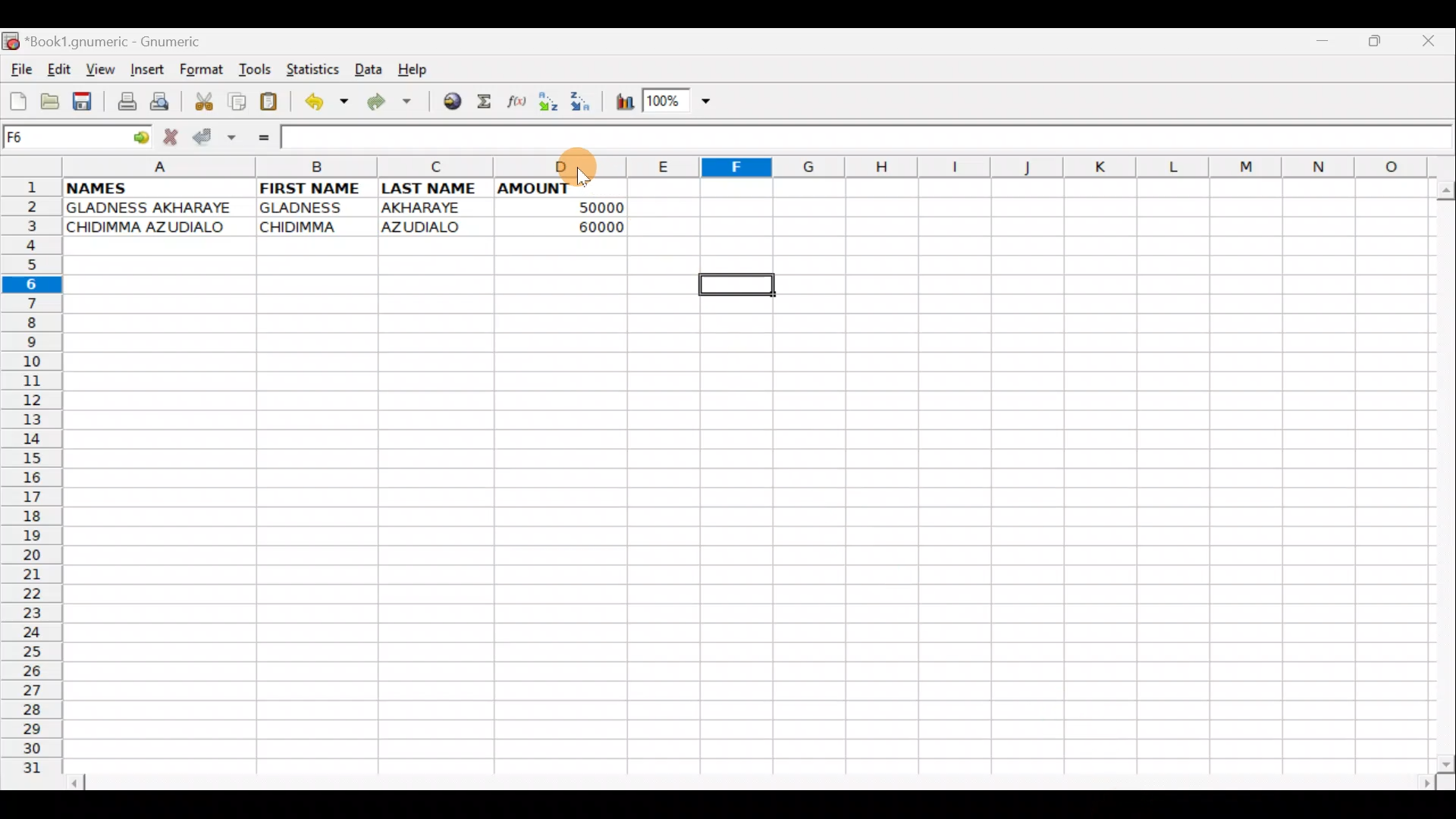 Image resolution: width=1456 pixels, height=819 pixels. What do you see at coordinates (153, 227) in the screenshot?
I see `CHIDIMMA AZUDIALO` at bounding box center [153, 227].